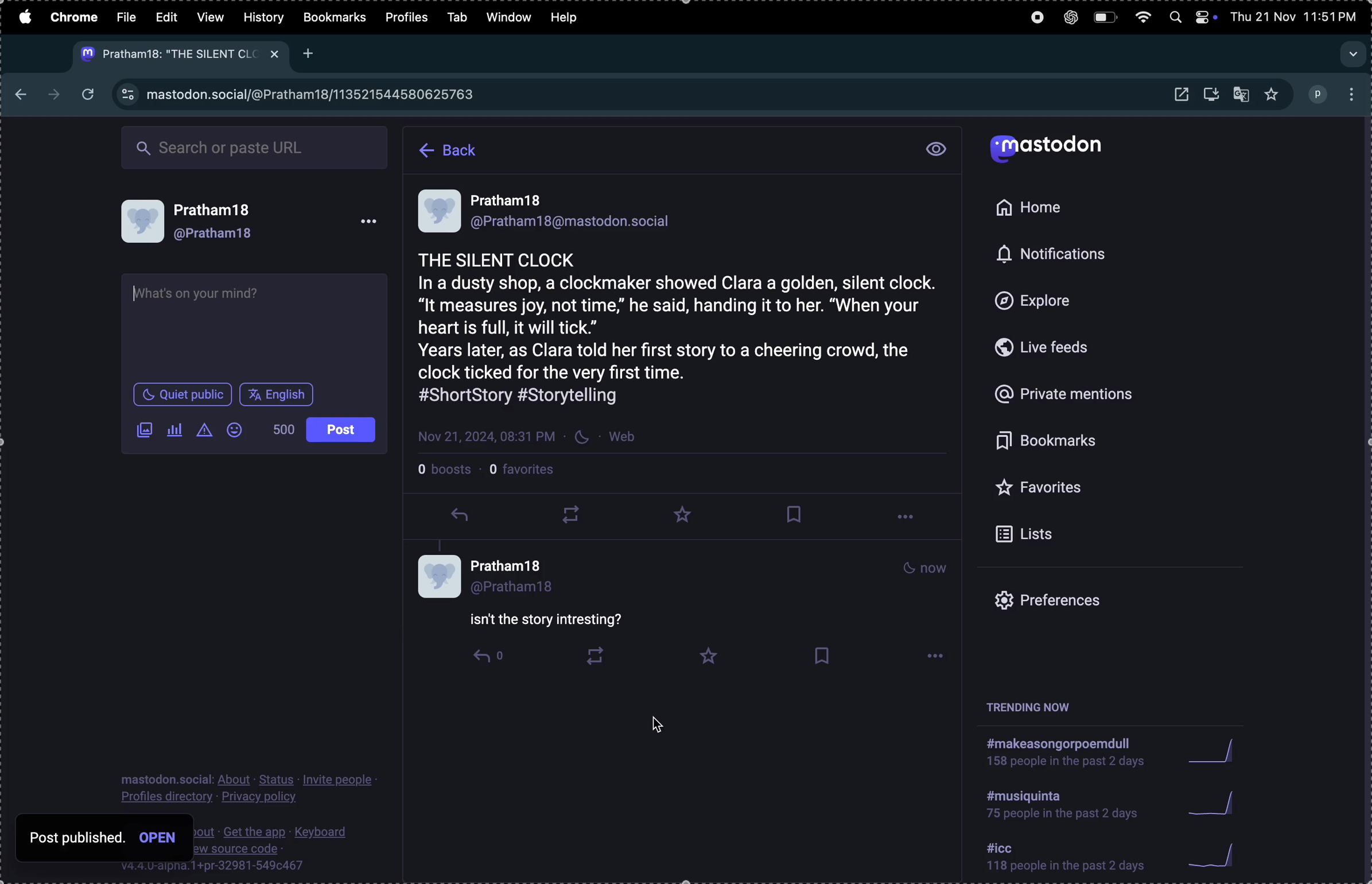 This screenshot has width=1372, height=884. What do you see at coordinates (175, 432) in the screenshot?
I see `pole` at bounding box center [175, 432].